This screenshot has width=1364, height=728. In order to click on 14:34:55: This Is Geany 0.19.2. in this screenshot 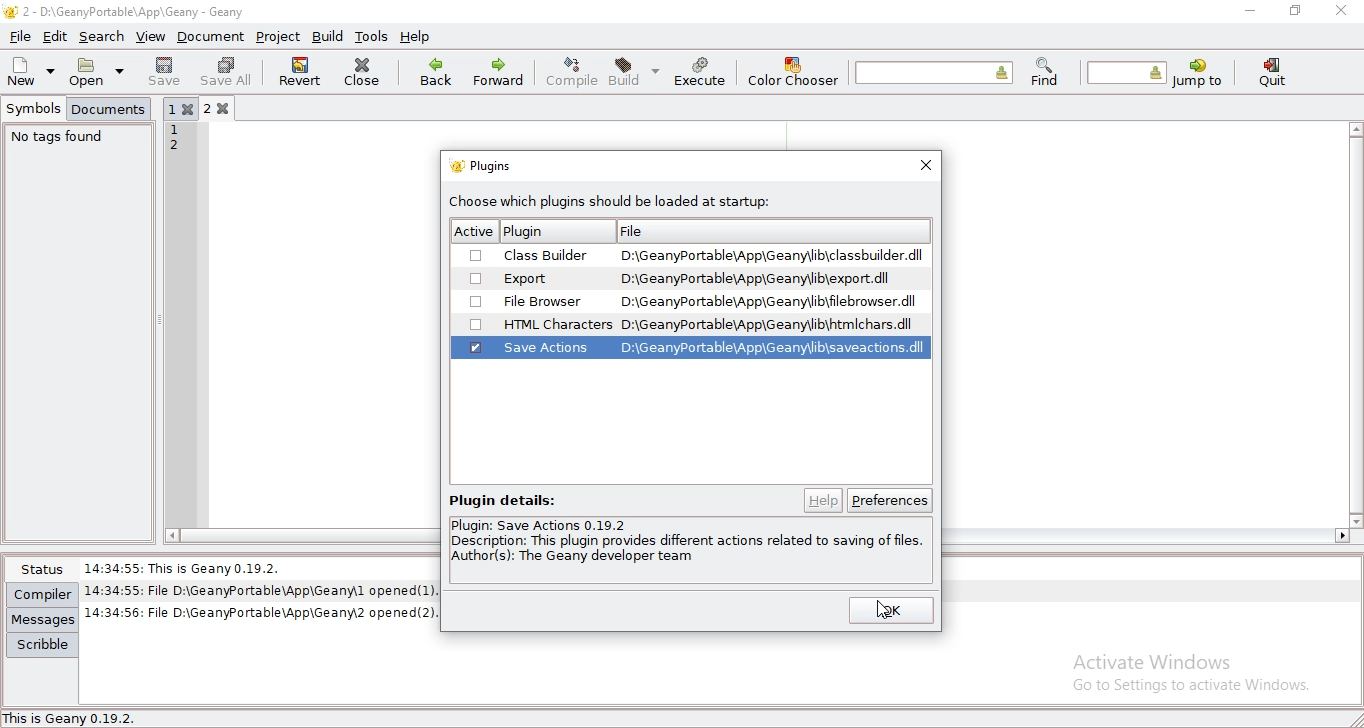, I will do `click(189, 564)`.